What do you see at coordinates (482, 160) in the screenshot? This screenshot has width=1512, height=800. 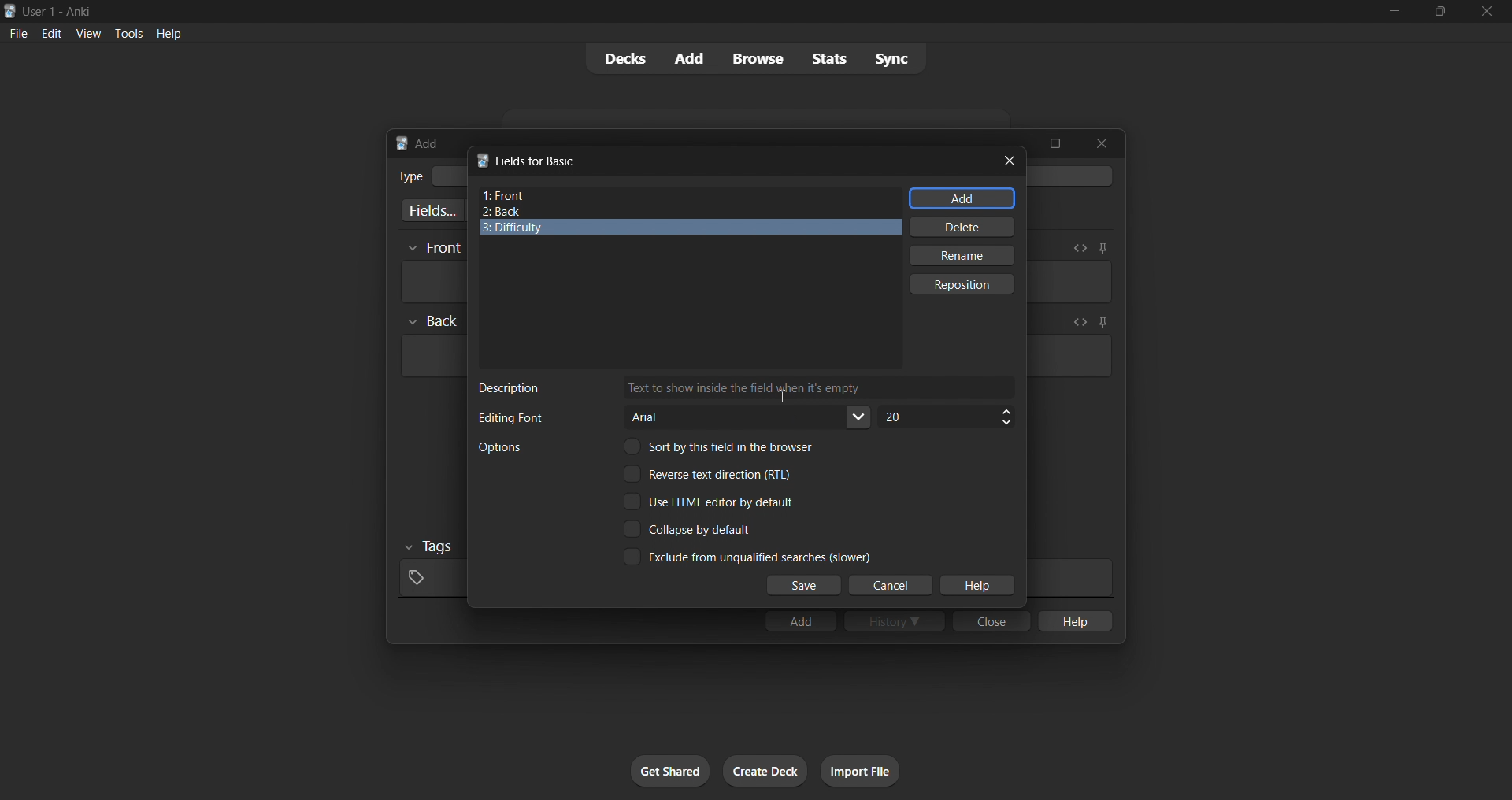 I see `Anki logo` at bounding box center [482, 160].